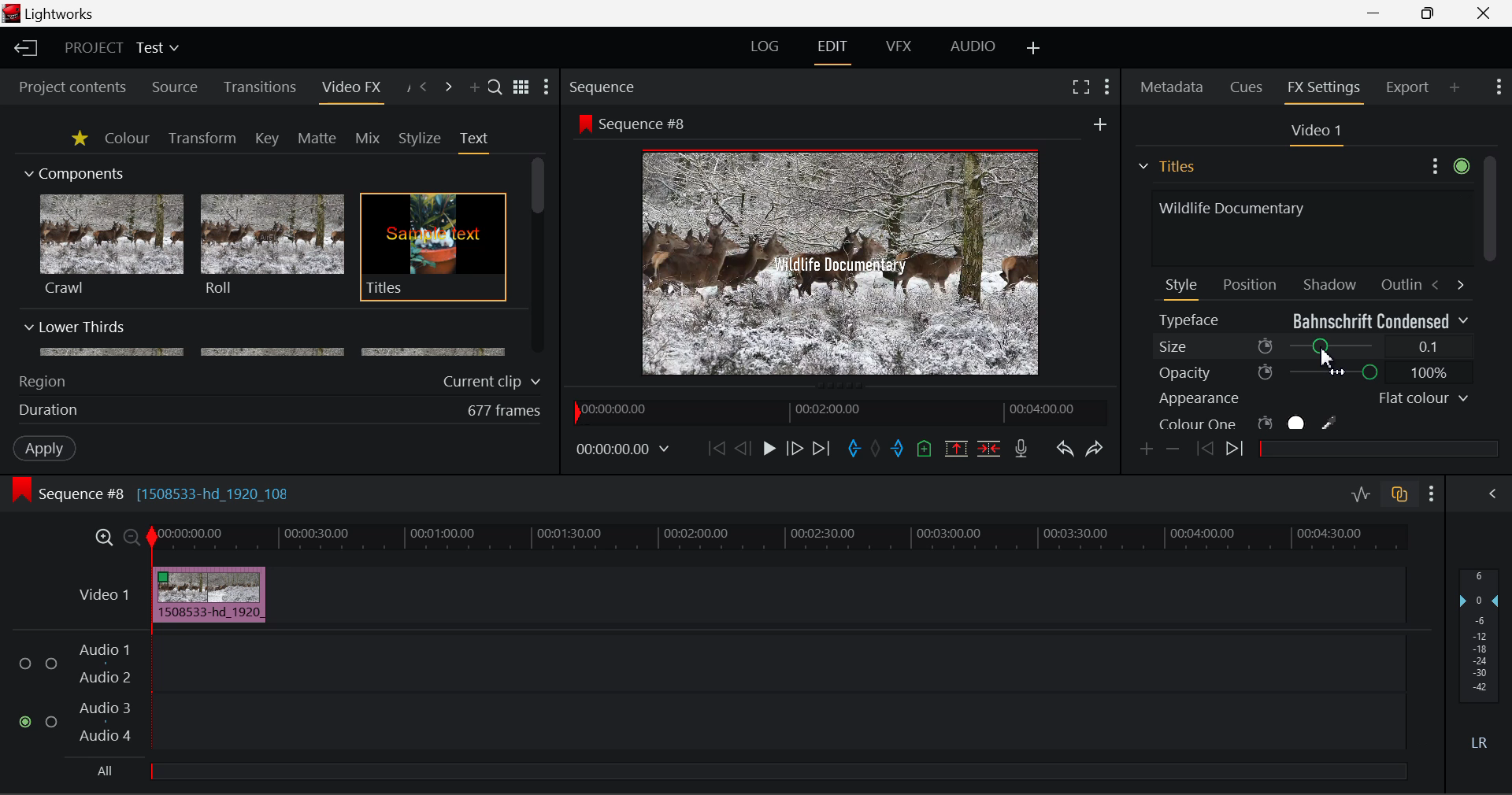 The height and width of the screenshot is (795, 1512). Describe the element at coordinates (1499, 85) in the screenshot. I see `Show Settings` at that location.